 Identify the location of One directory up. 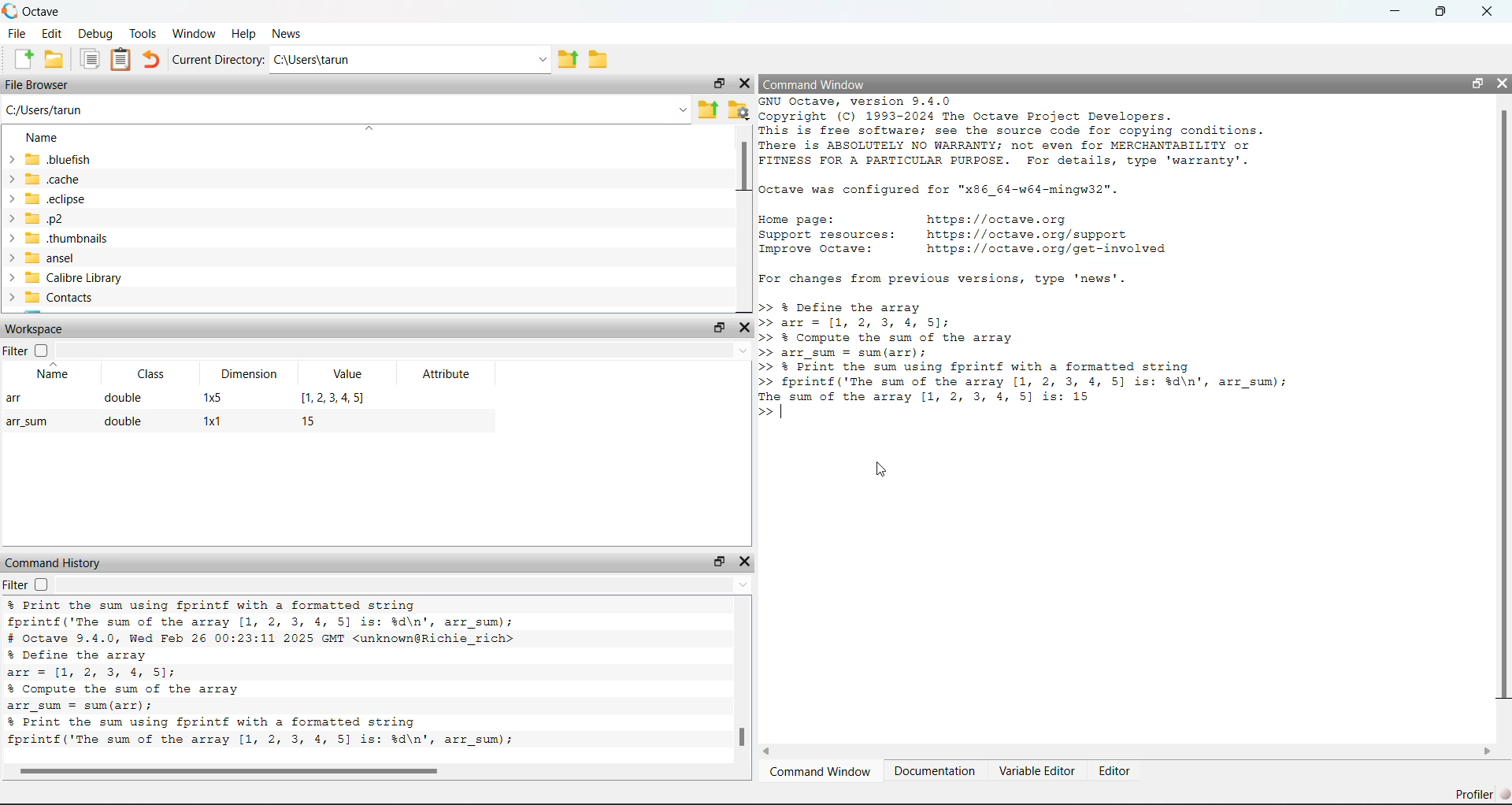
(569, 60).